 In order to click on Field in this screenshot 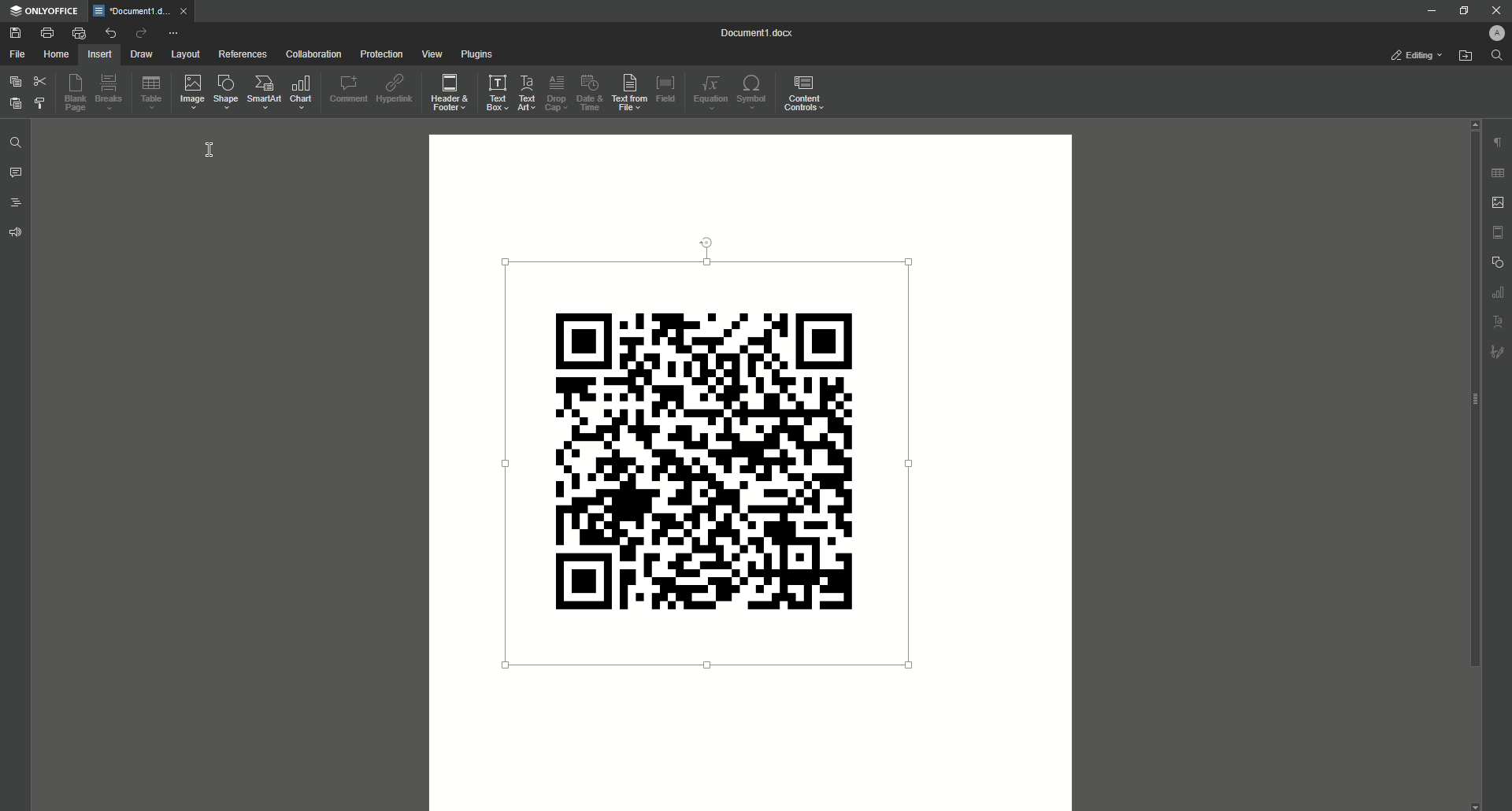, I will do `click(669, 91)`.